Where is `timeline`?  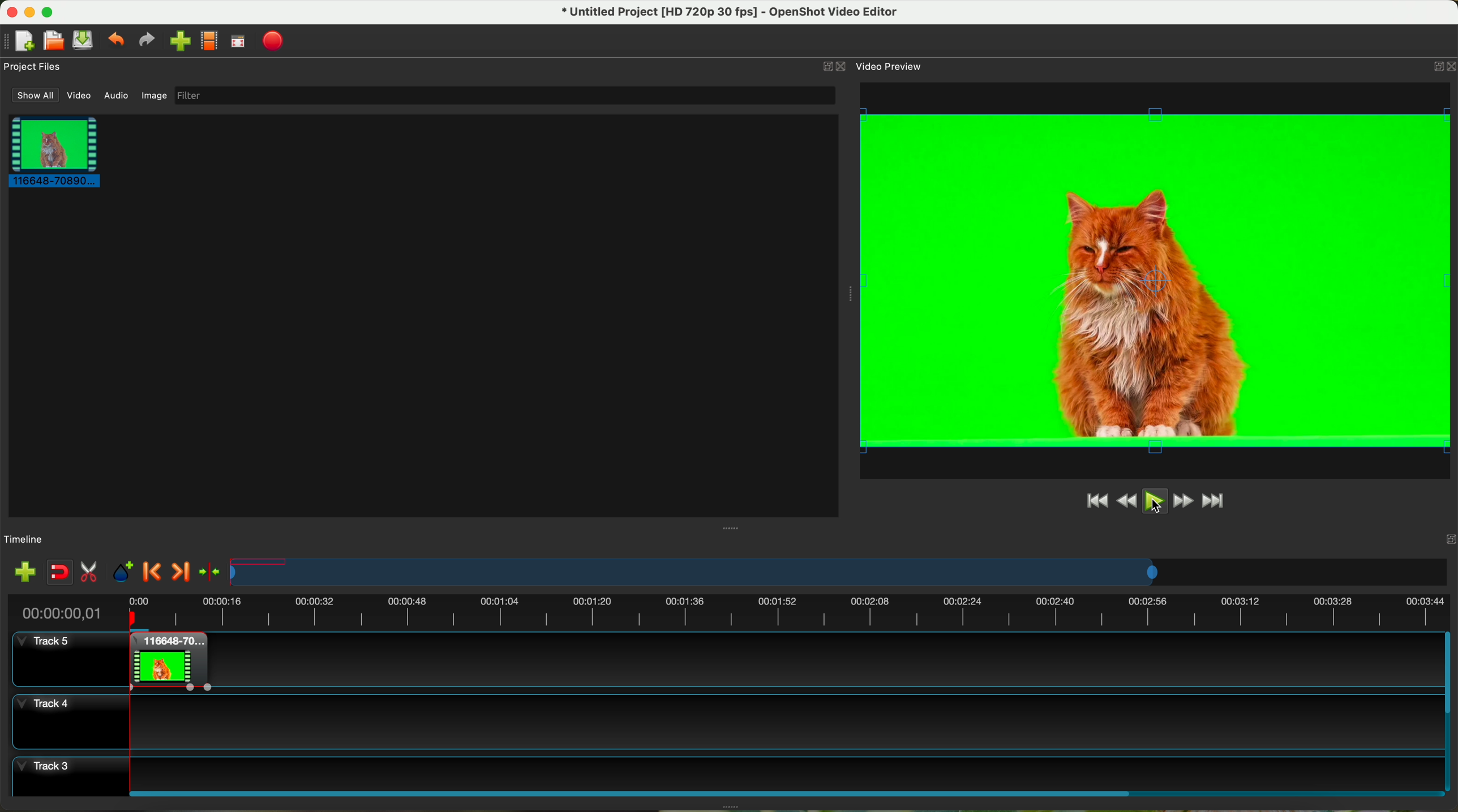
timeline is located at coordinates (24, 540).